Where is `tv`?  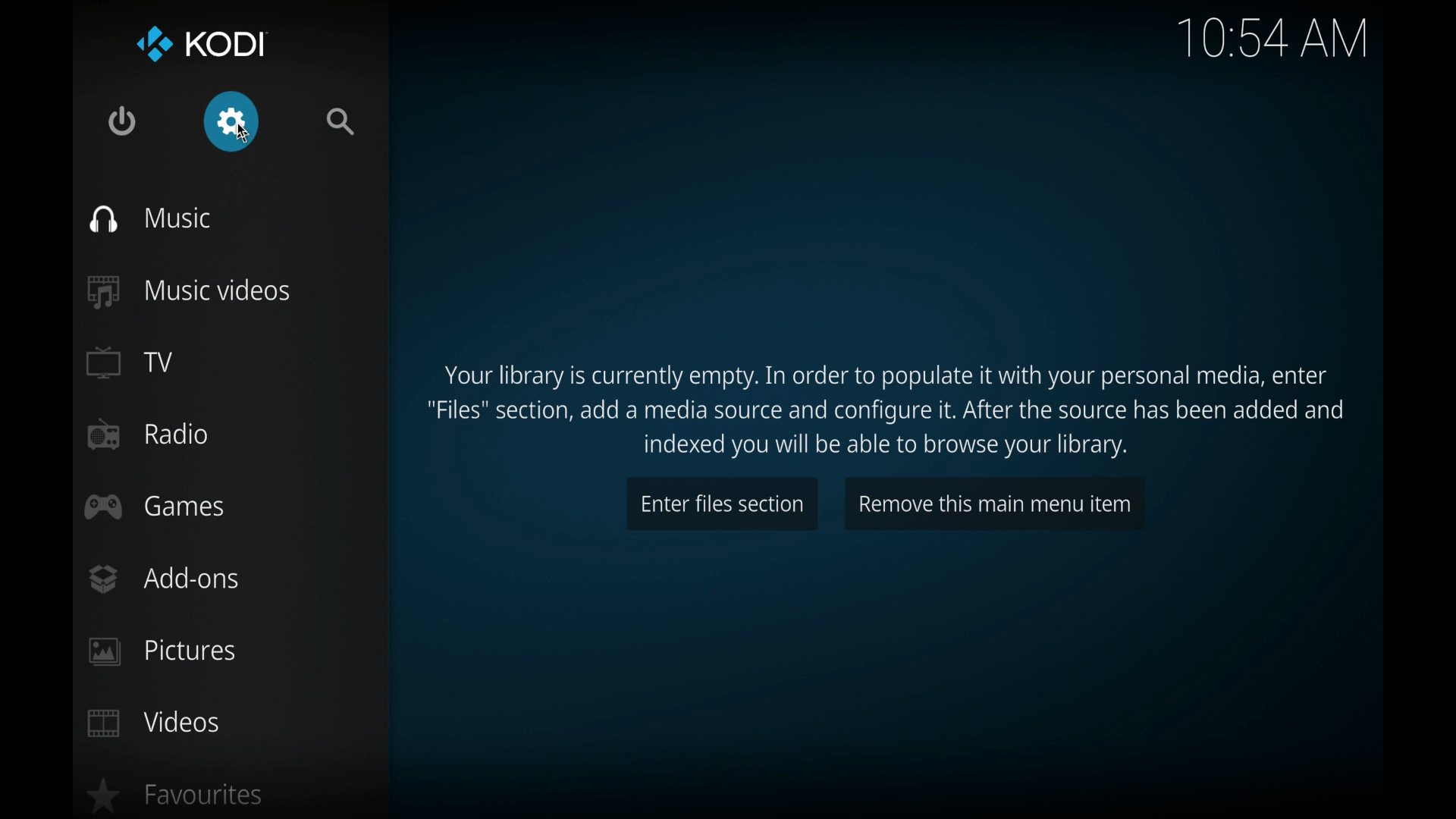 tv is located at coordinates (131, 362).